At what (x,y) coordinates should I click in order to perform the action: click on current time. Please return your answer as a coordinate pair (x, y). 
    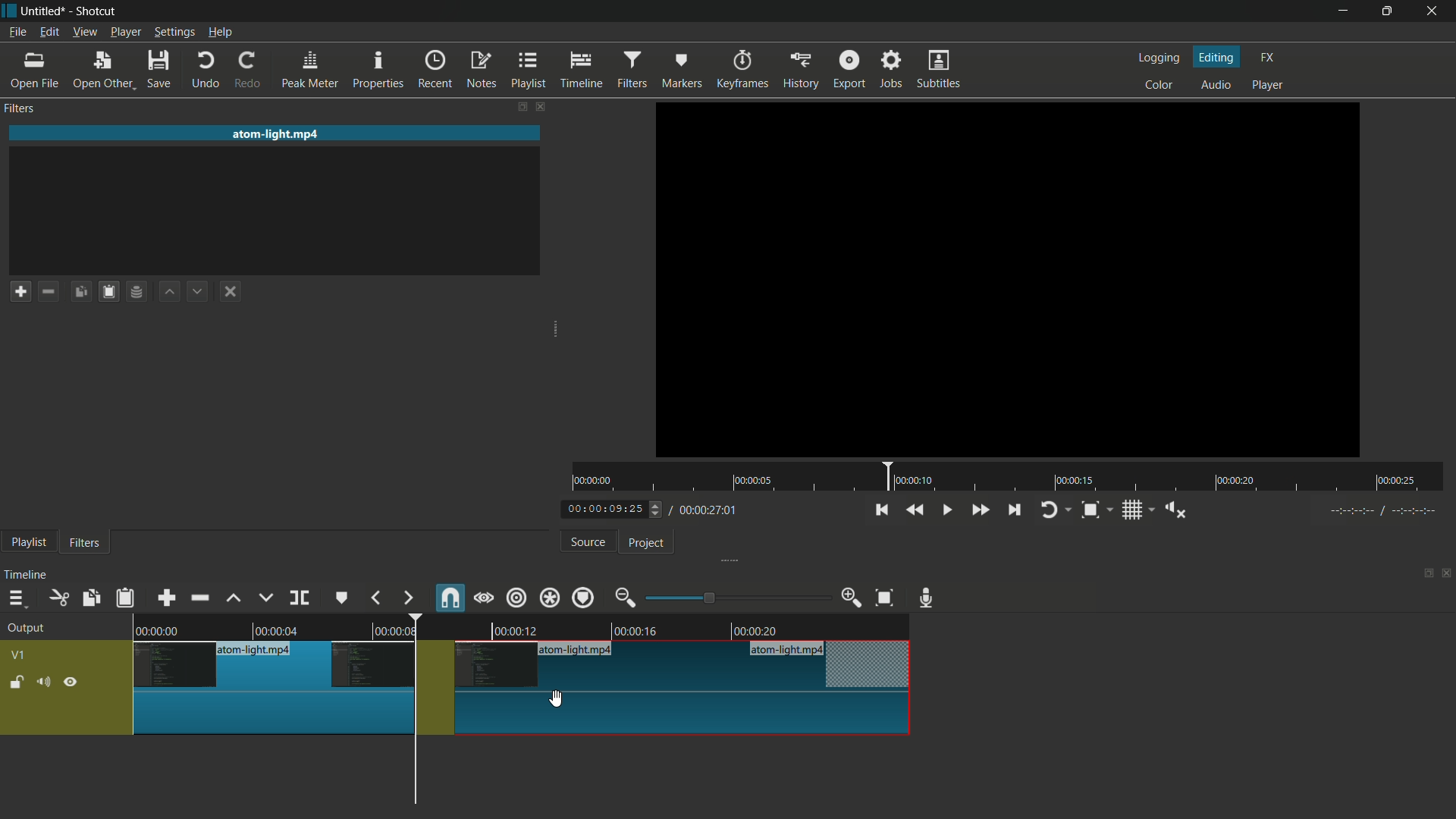
    Looking at the image, I should click on (610, 510).